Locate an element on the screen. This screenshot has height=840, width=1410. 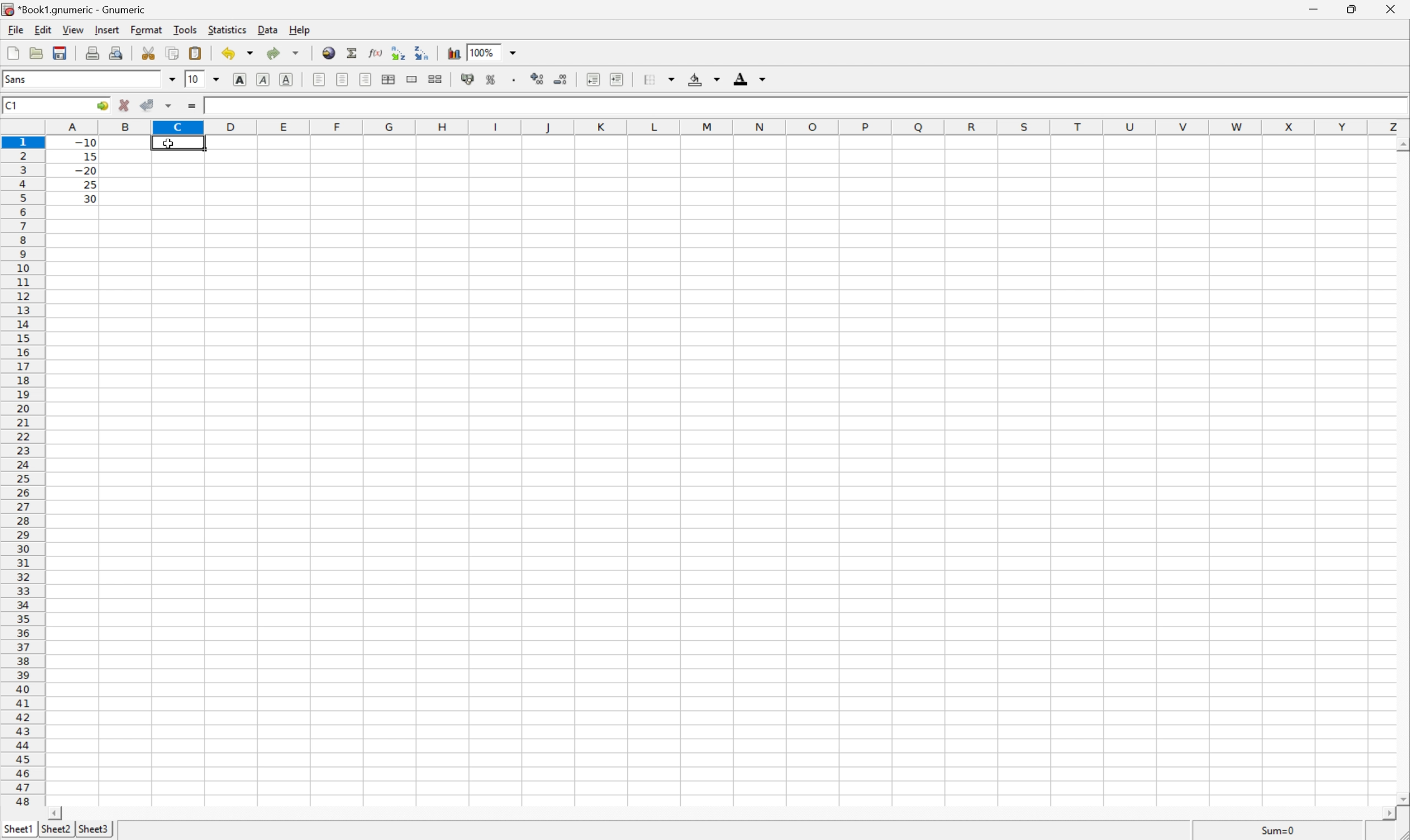
Print preview is located at coordinates (118, 52).